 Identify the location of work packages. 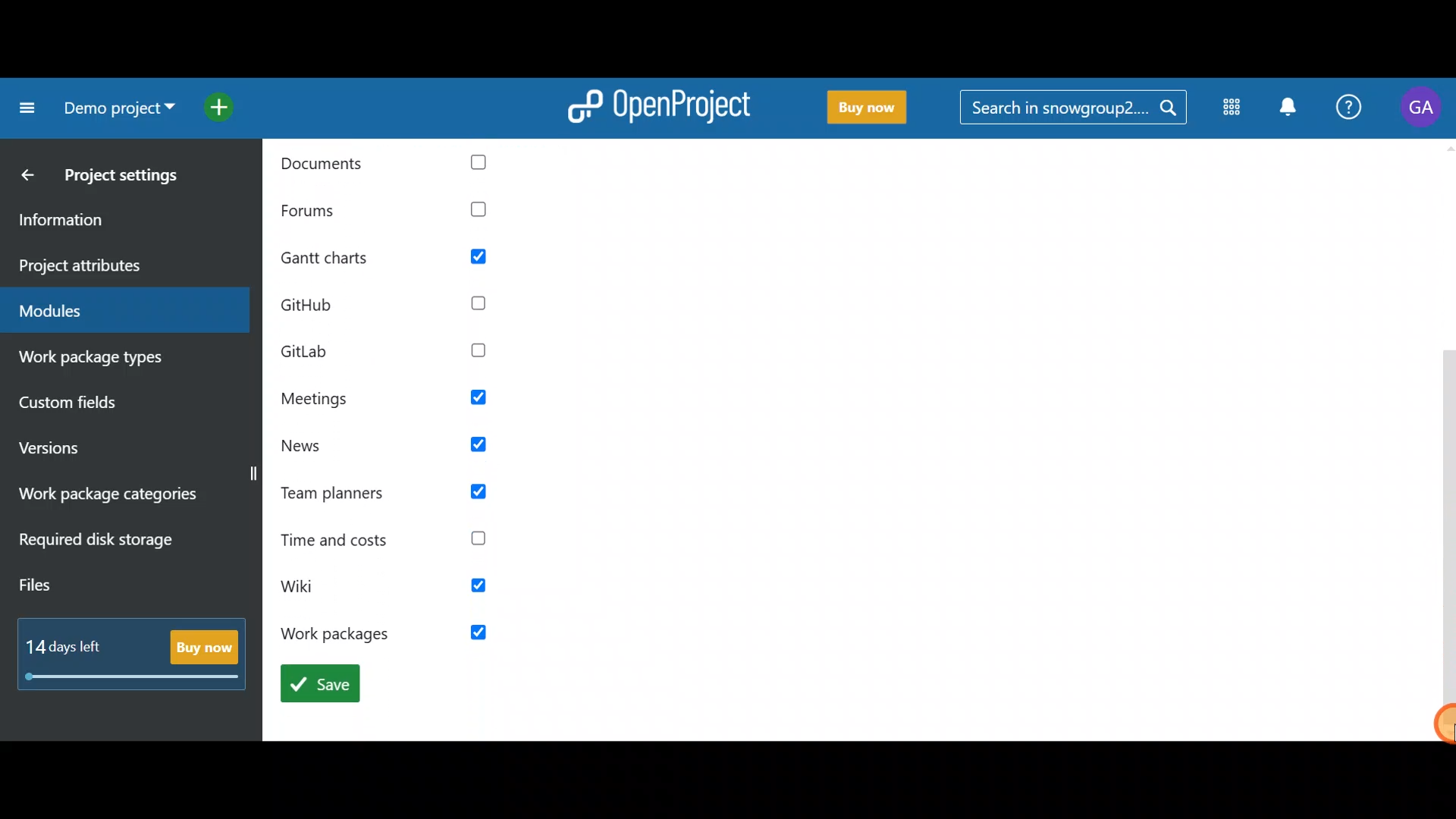
(390, 633).